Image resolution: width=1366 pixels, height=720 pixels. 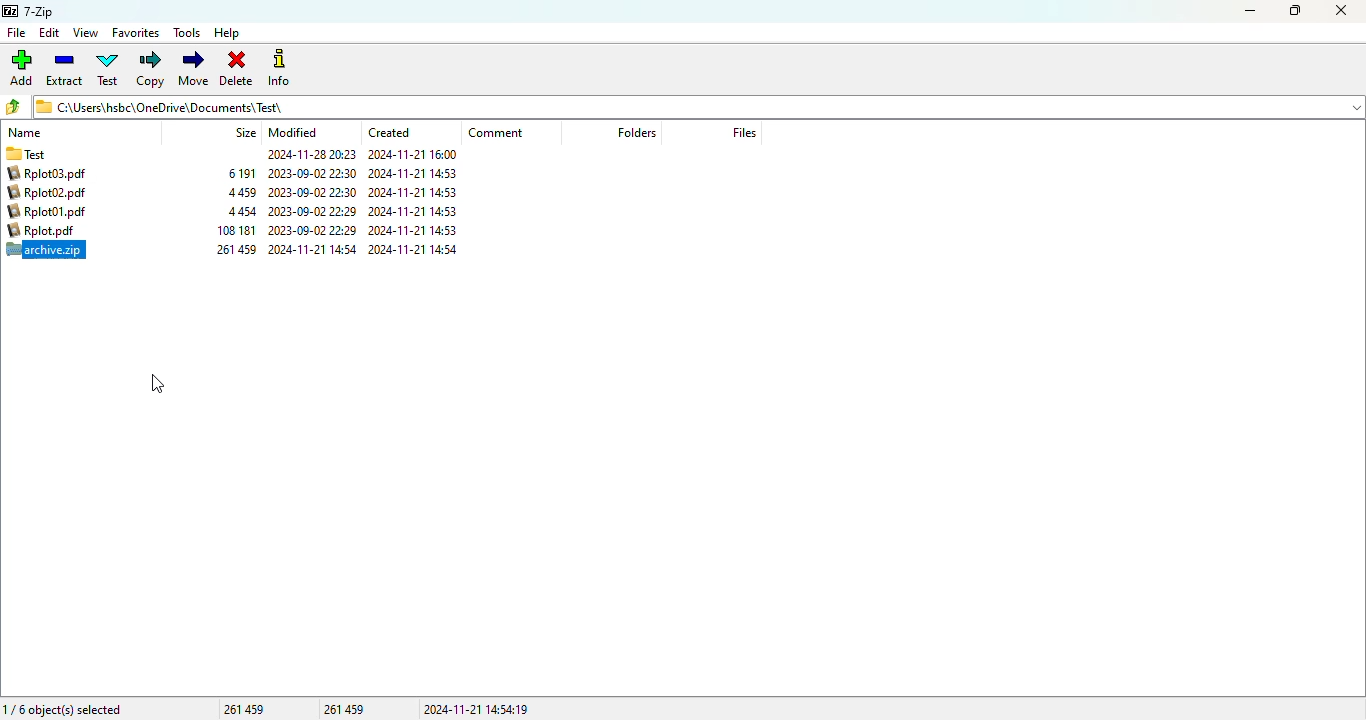 I want to click on view, so click(x=85, y=32).